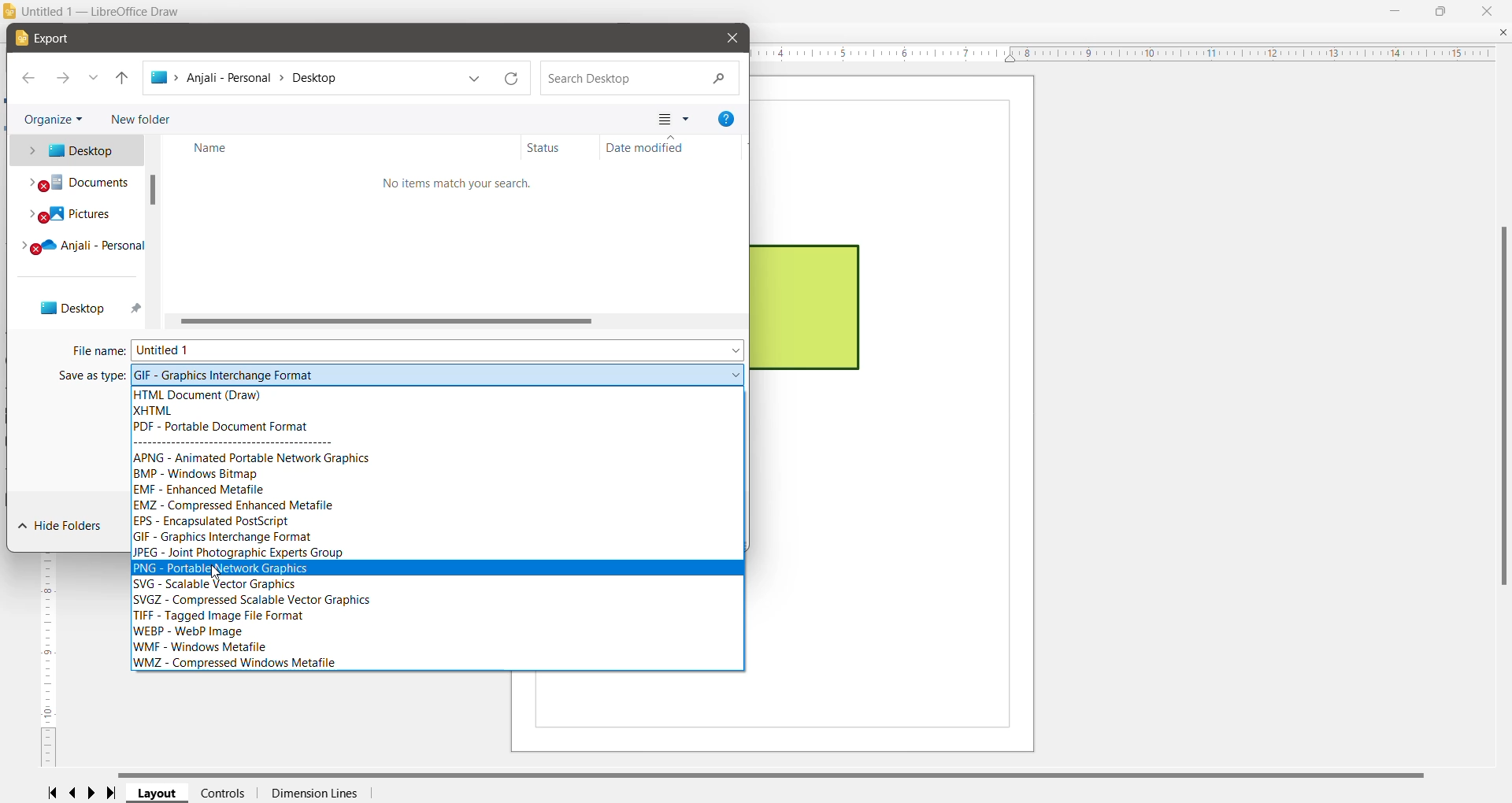 This screenshot has height=803, width=1512. Describe the element at coordinates (900, 414) in the screenshot. I see `Current Page` at that location.